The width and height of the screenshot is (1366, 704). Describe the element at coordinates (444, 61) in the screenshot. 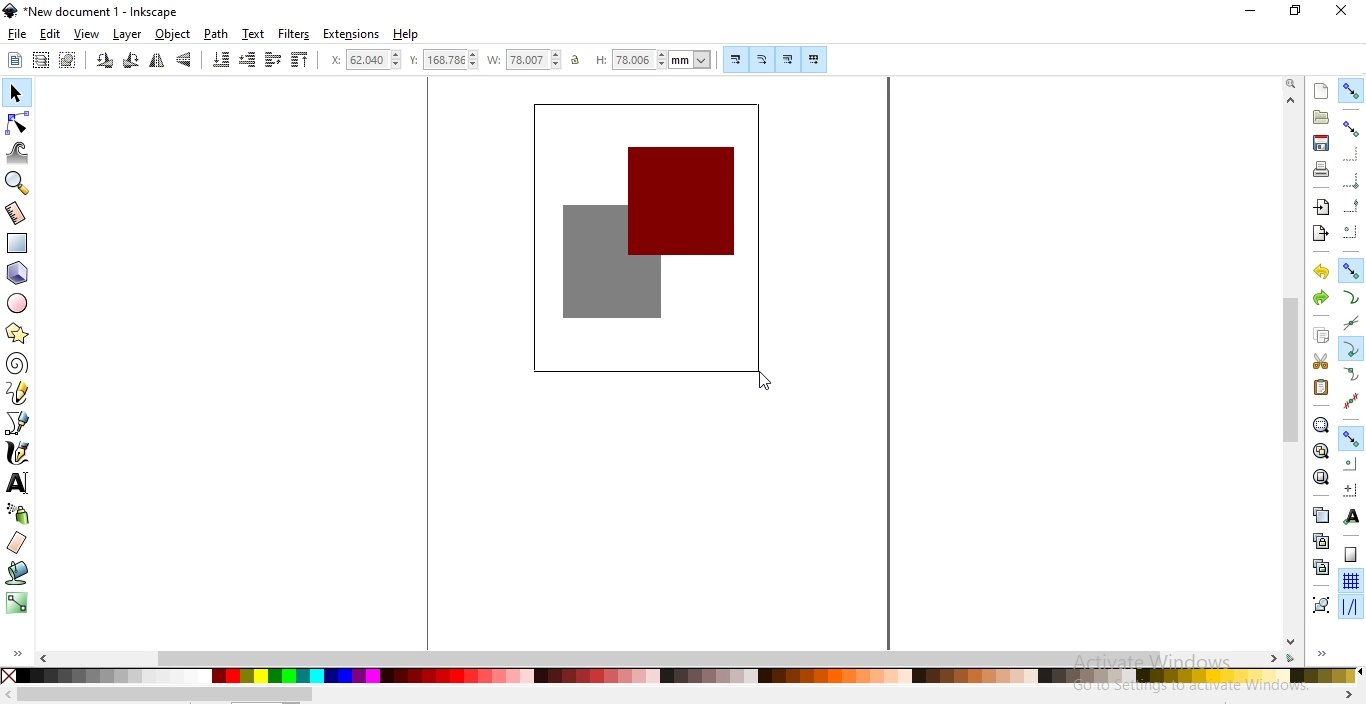

I see `vertical coordiante of selection` at that location.